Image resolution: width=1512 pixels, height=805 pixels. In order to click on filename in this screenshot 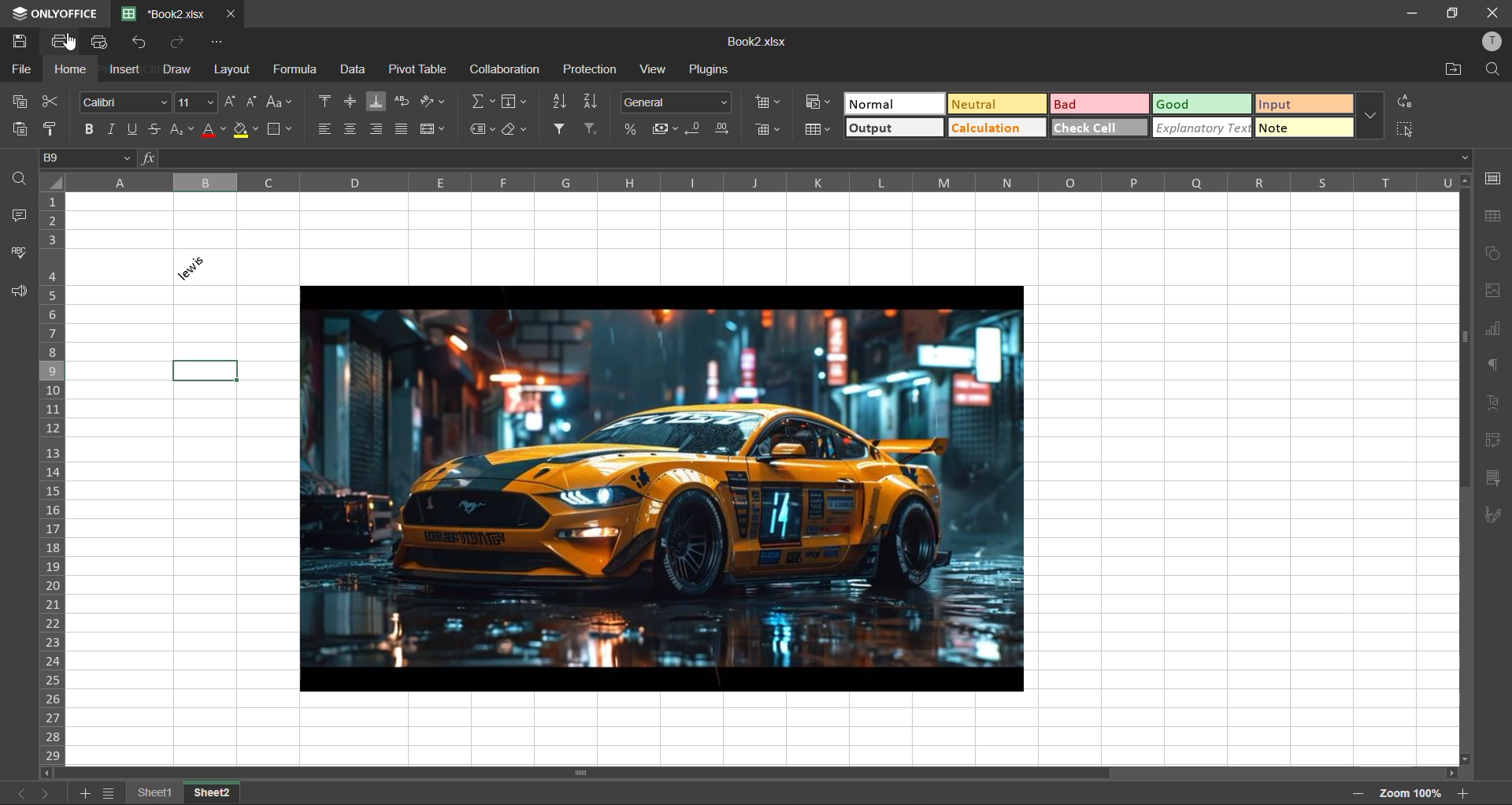, I will do `click(754, 42)`.